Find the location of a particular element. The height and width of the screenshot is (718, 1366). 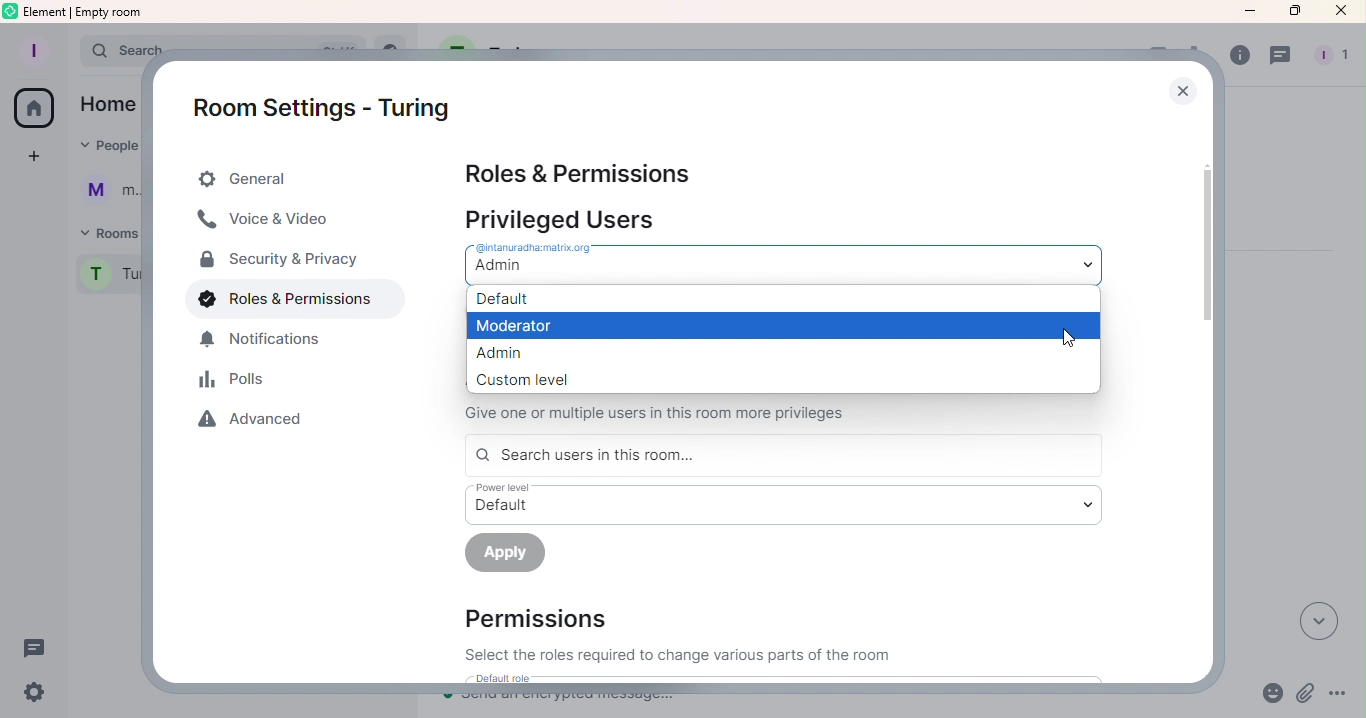

Moderator is located at coordinates (783, 327).